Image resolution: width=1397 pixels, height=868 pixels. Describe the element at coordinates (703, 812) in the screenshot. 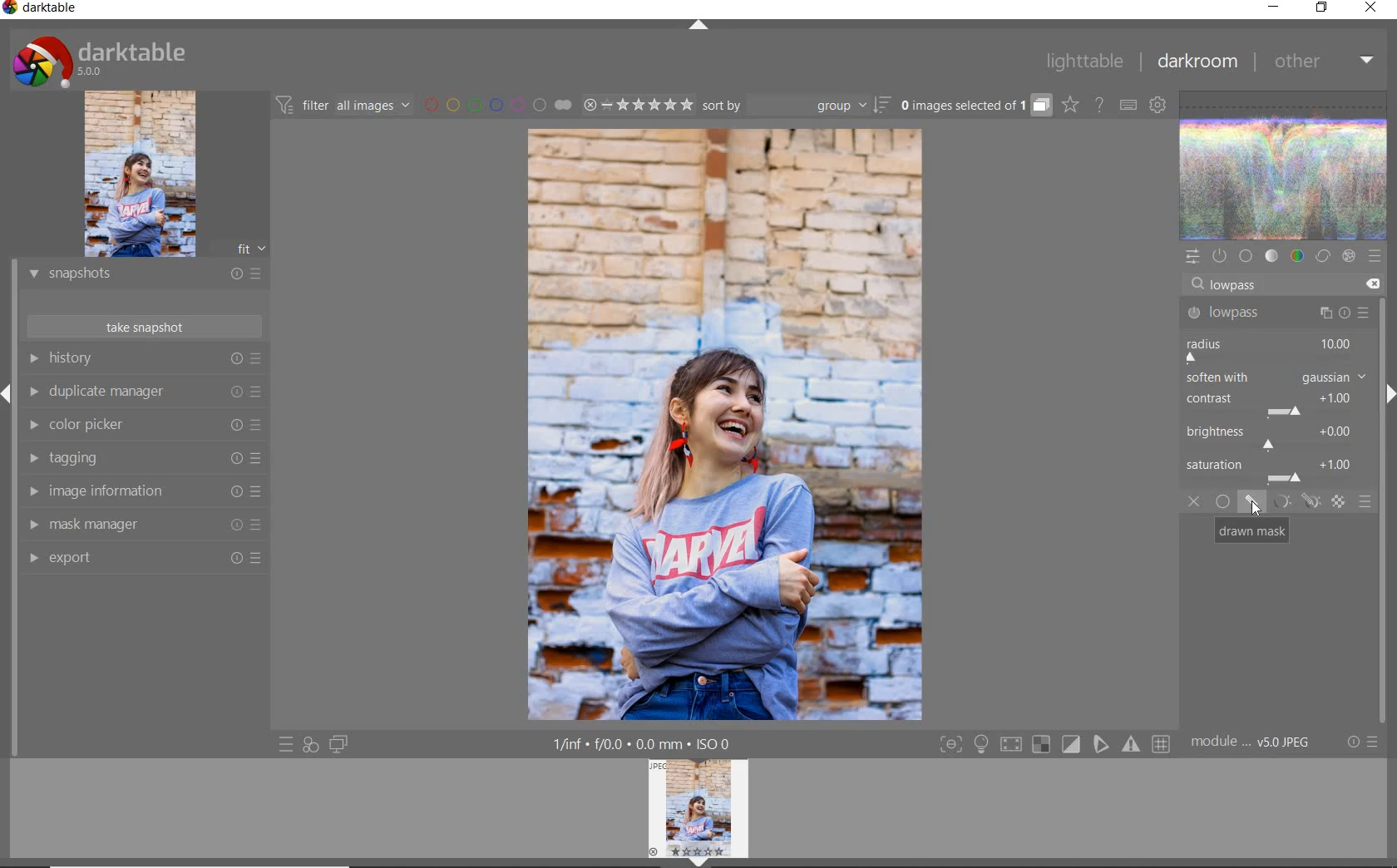

I see `image preview` at that location.